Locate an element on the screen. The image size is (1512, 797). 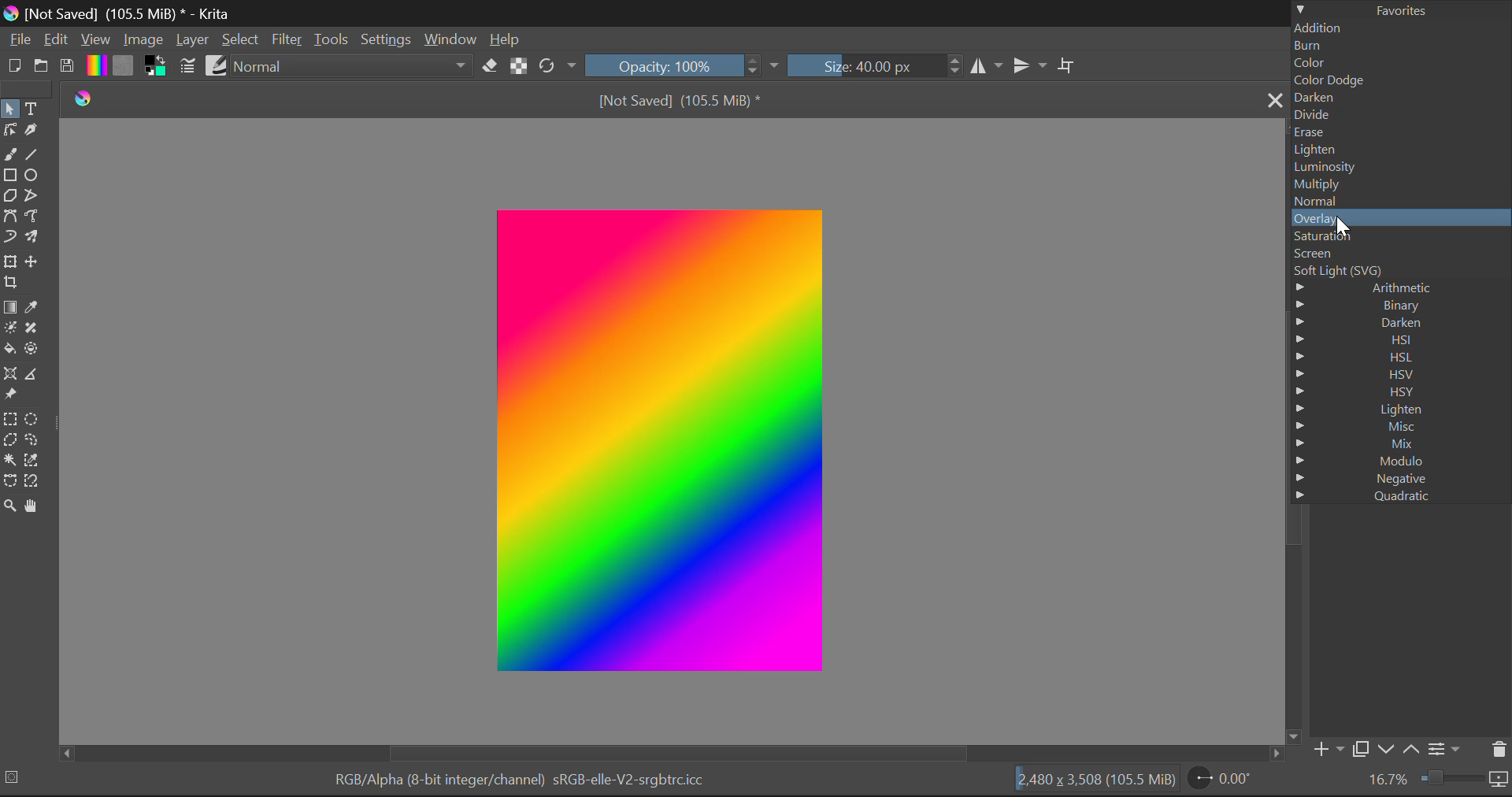
Soft Light is located at coordinates (1395, 272).